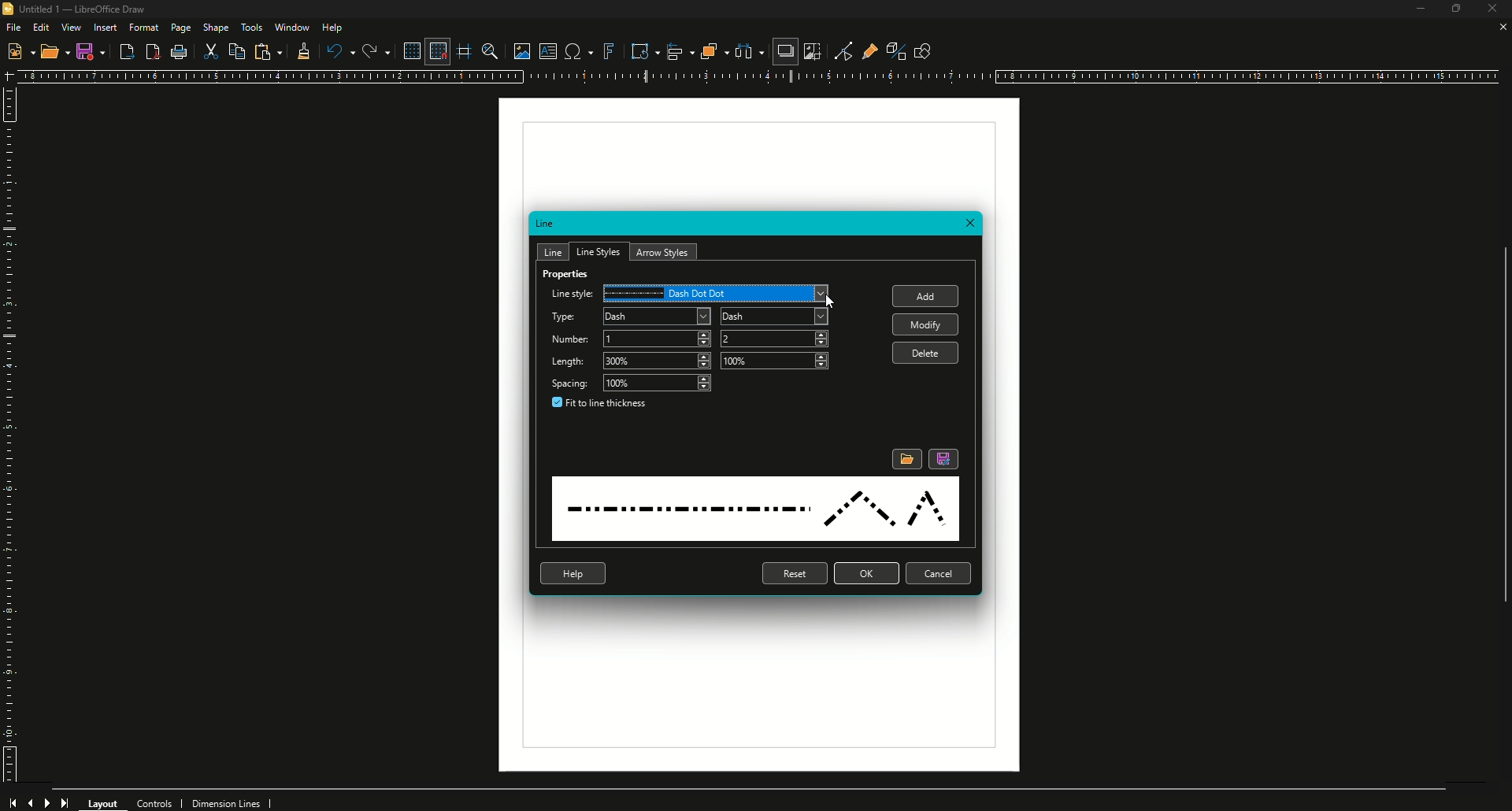  Describe the element at coordinates (776, 338) in the screenshot. I see `2` at that location.